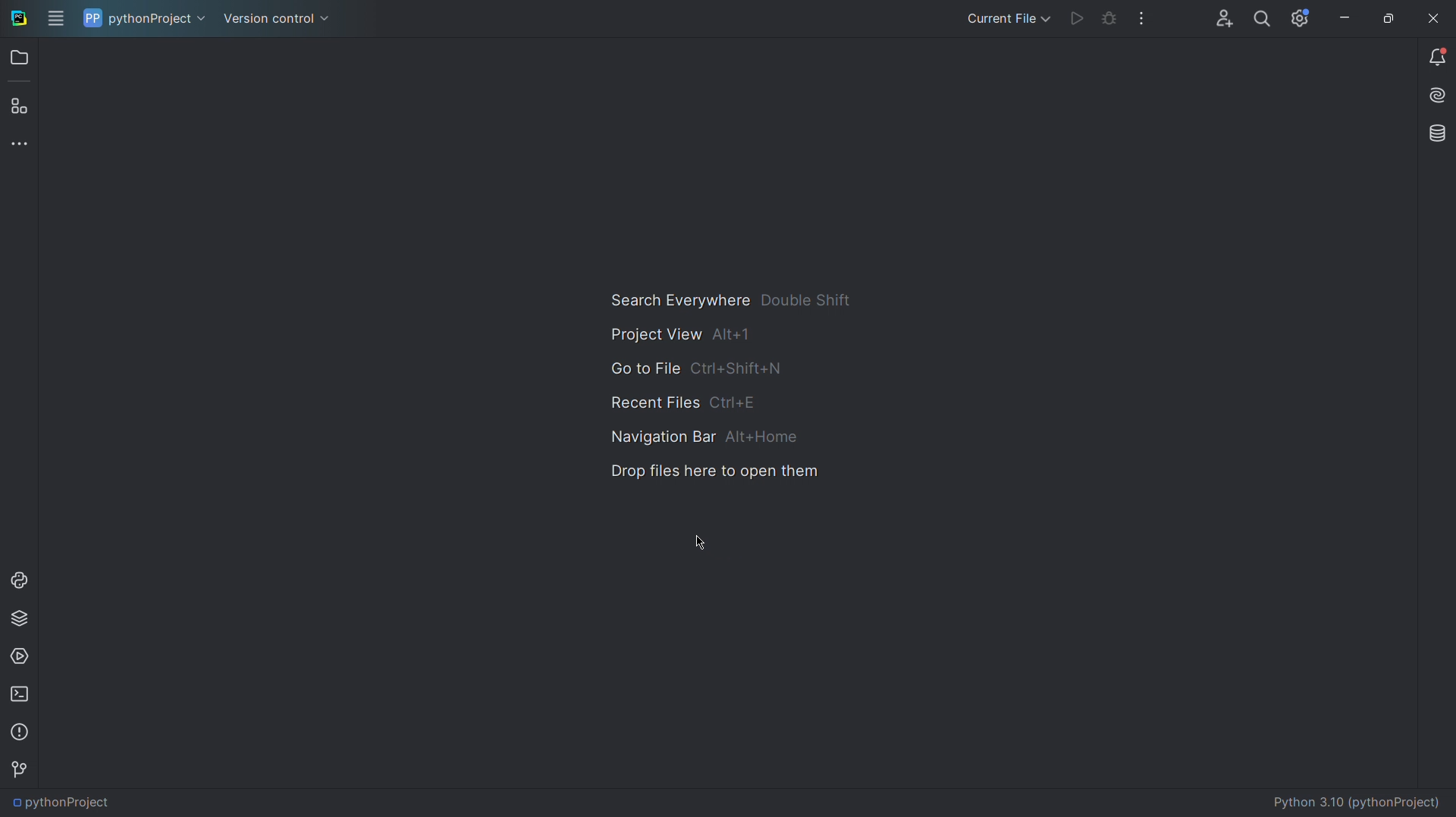 The width and height of the screenshot is (1456, 817). I want to click on close, so click(1430, 19).